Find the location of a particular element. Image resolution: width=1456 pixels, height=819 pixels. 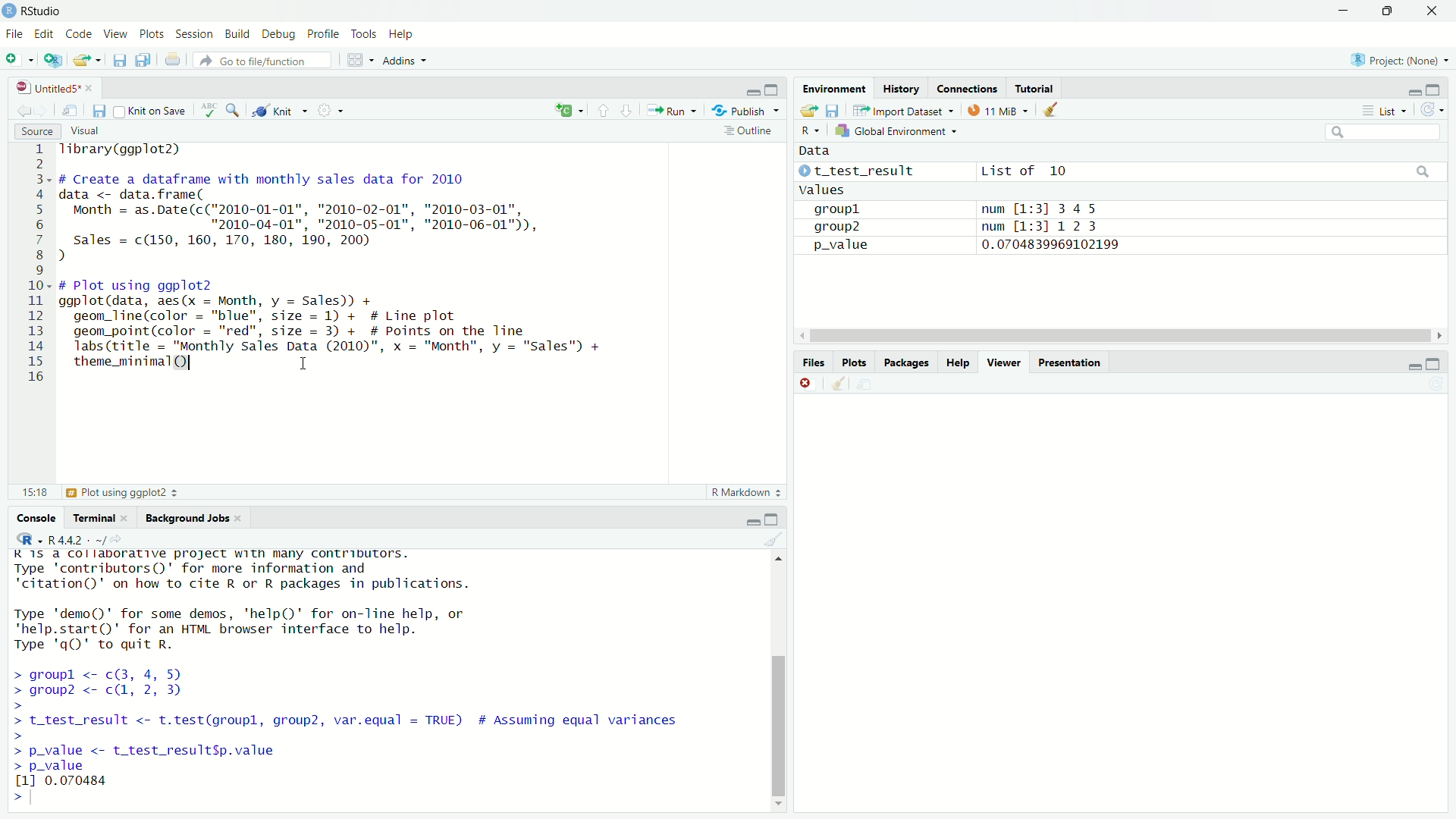

 Publish  is located at coordinates (749, 111).